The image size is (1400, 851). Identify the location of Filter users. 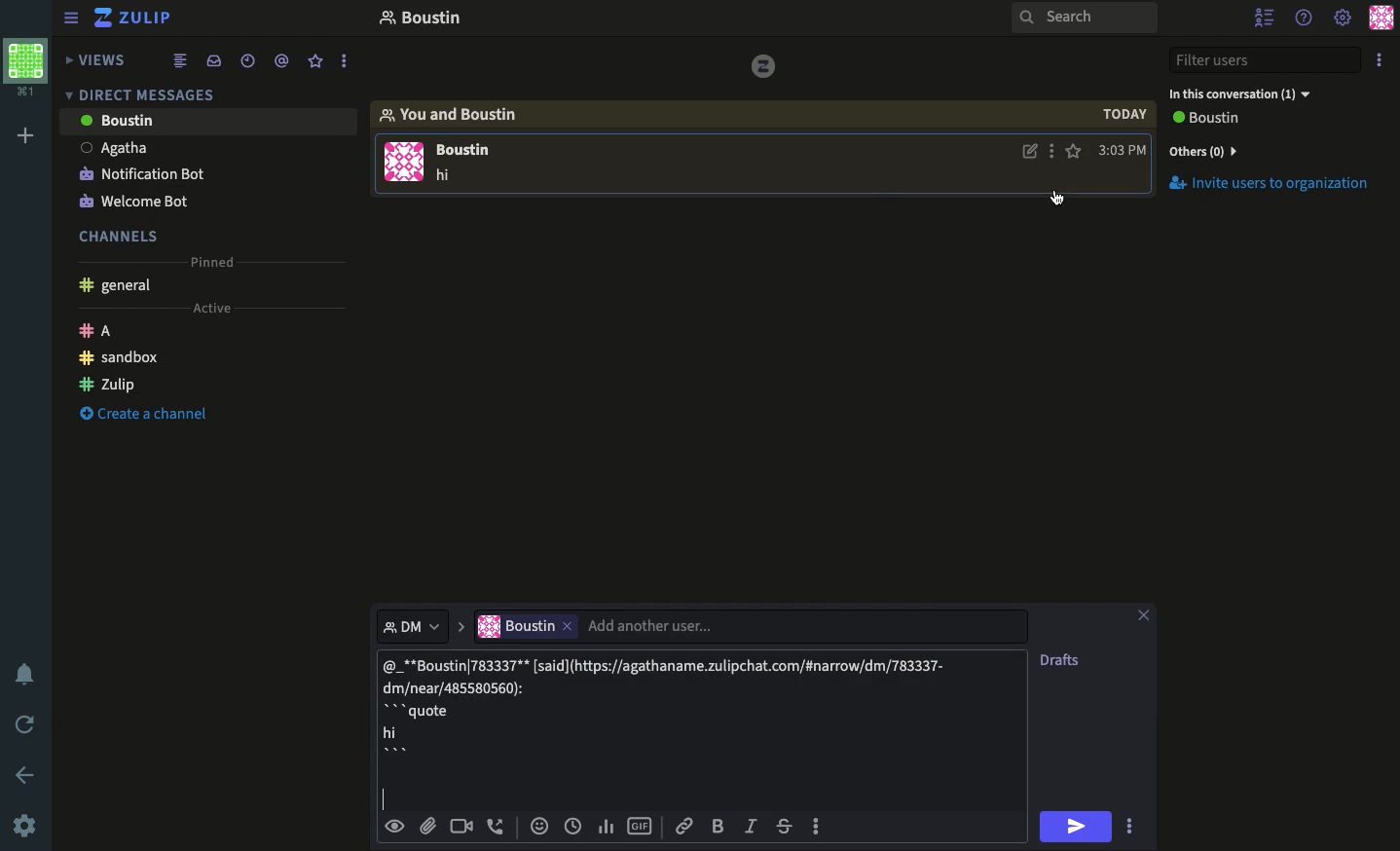
(1268, 61).